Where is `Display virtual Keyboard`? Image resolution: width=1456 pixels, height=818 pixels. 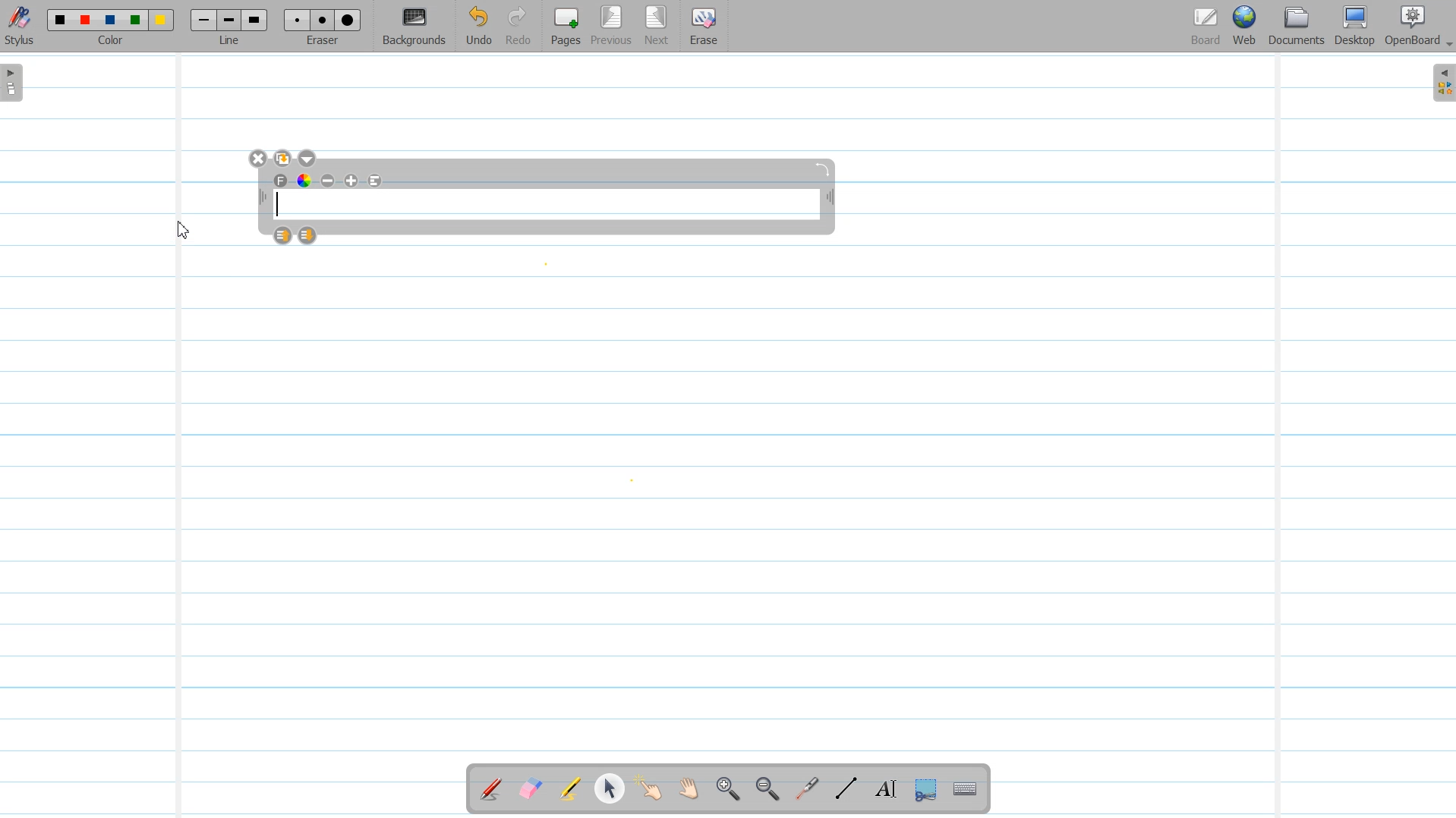
Display virtual Keyboard is located at coordinates (966, 790).